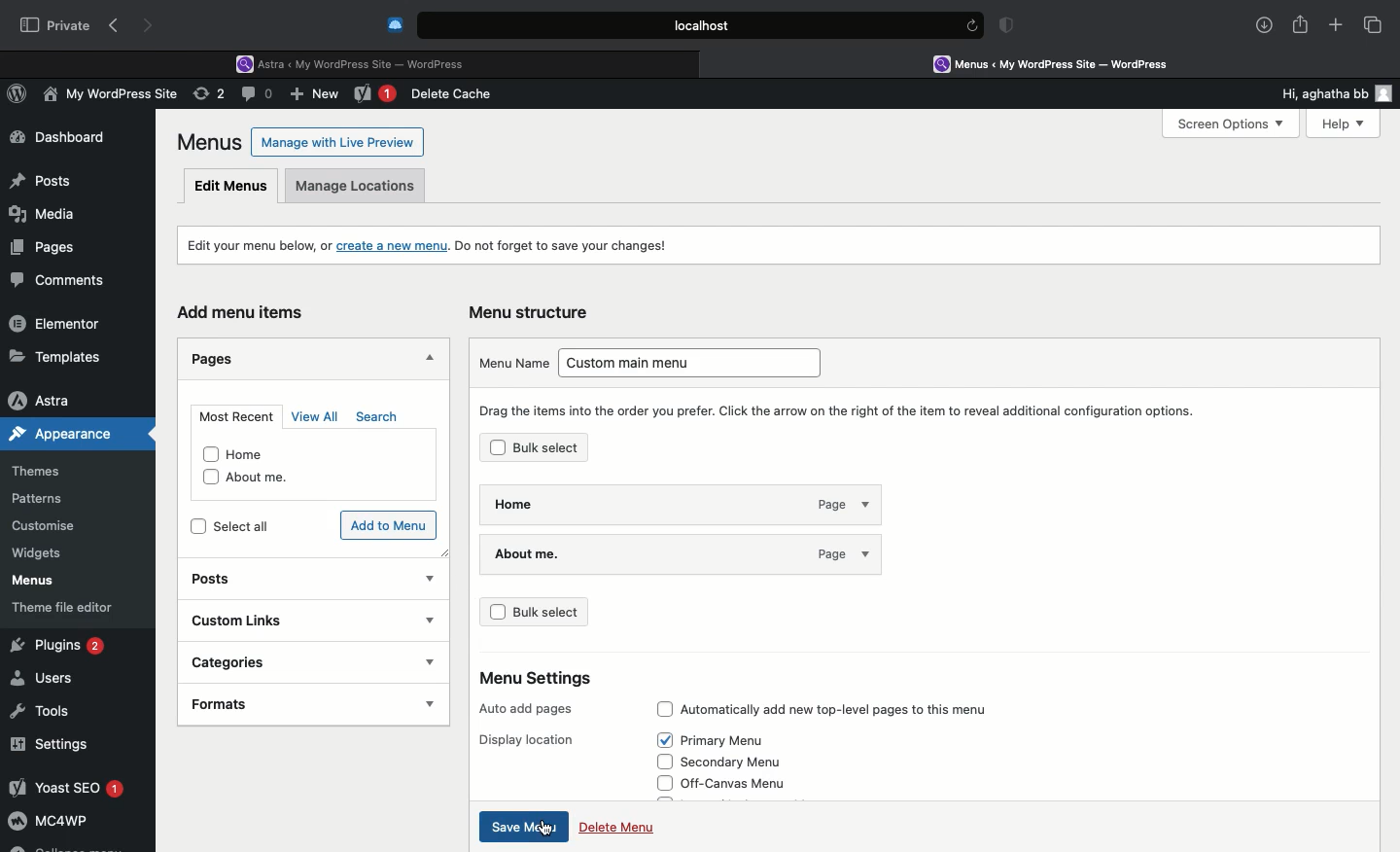  I want to click on Download, so click(1265, 25).